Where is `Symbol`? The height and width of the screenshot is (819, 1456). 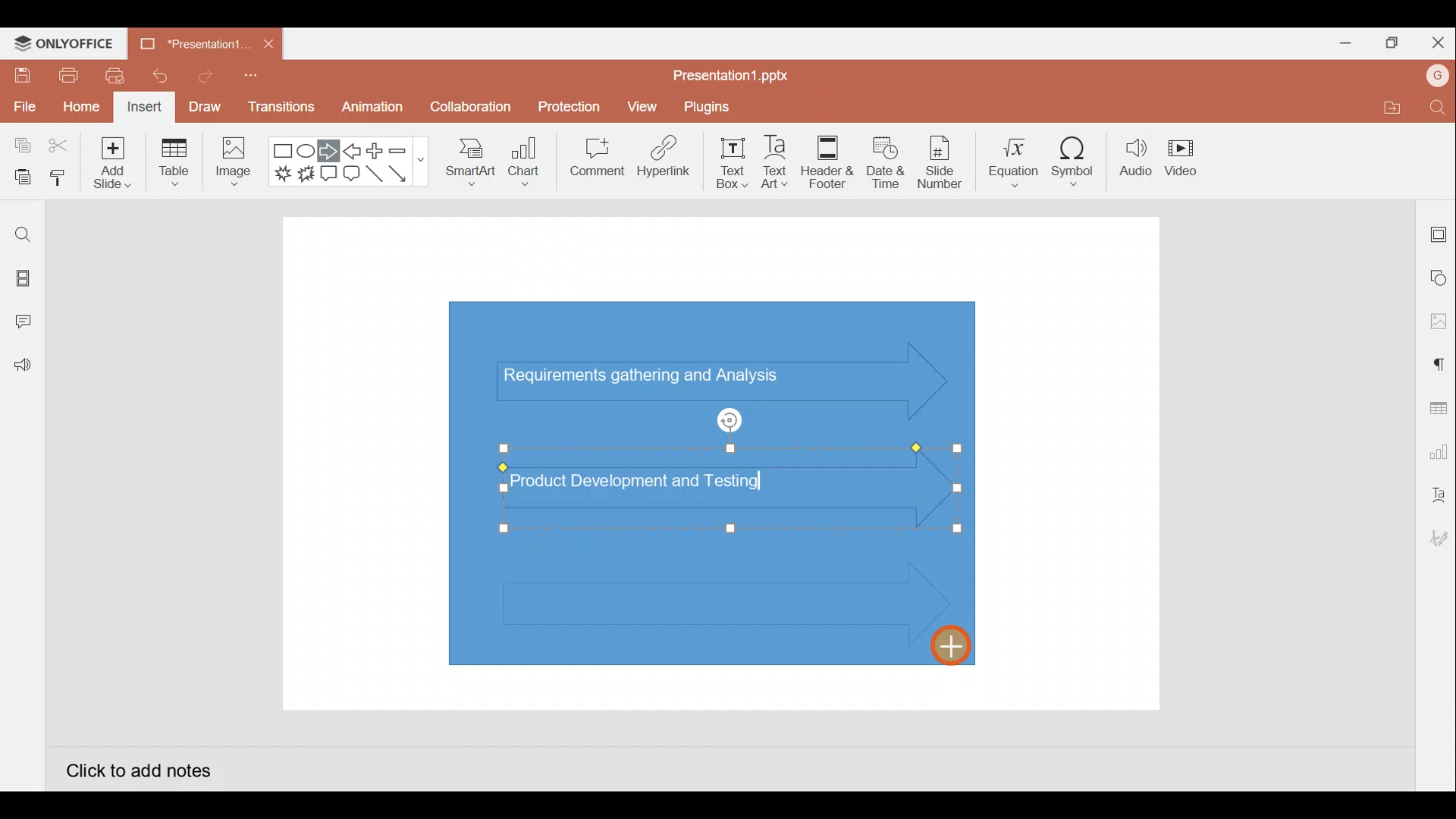
Symbol is located at coordinates (1074, 158).